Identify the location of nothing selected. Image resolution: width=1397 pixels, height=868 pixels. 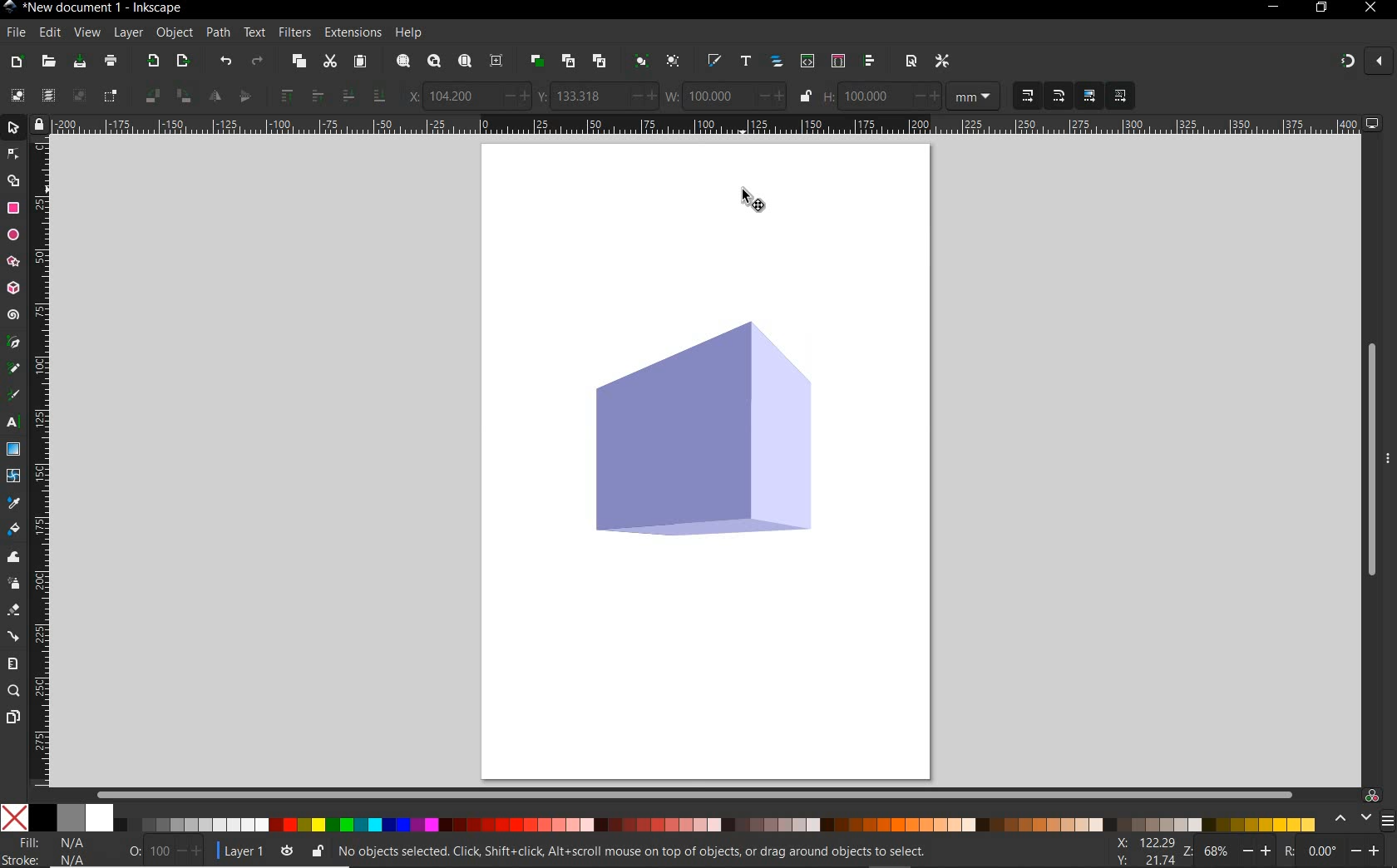
(134, 845).